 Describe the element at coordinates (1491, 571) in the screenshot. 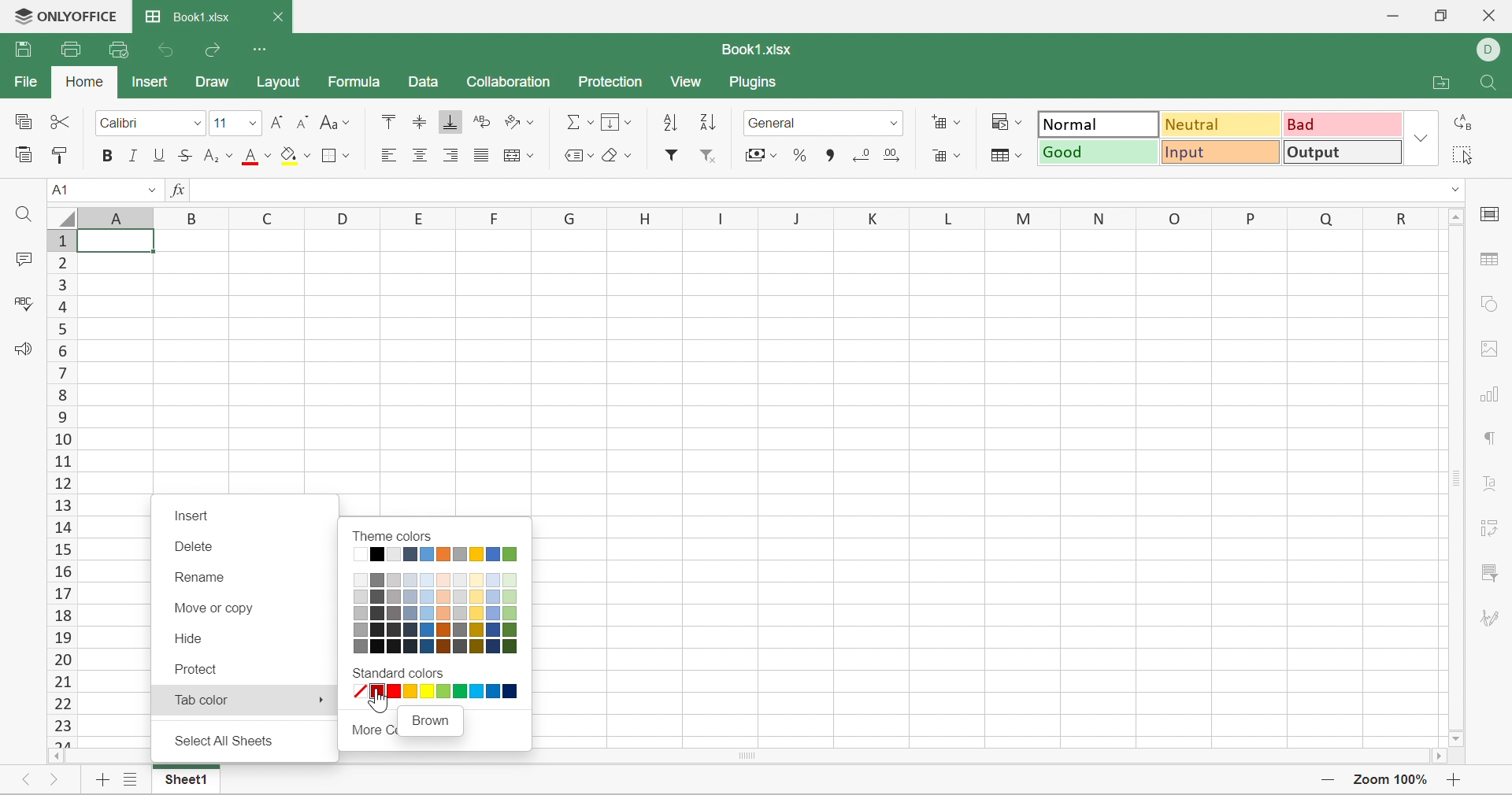

I see `Filter settings` at that location.